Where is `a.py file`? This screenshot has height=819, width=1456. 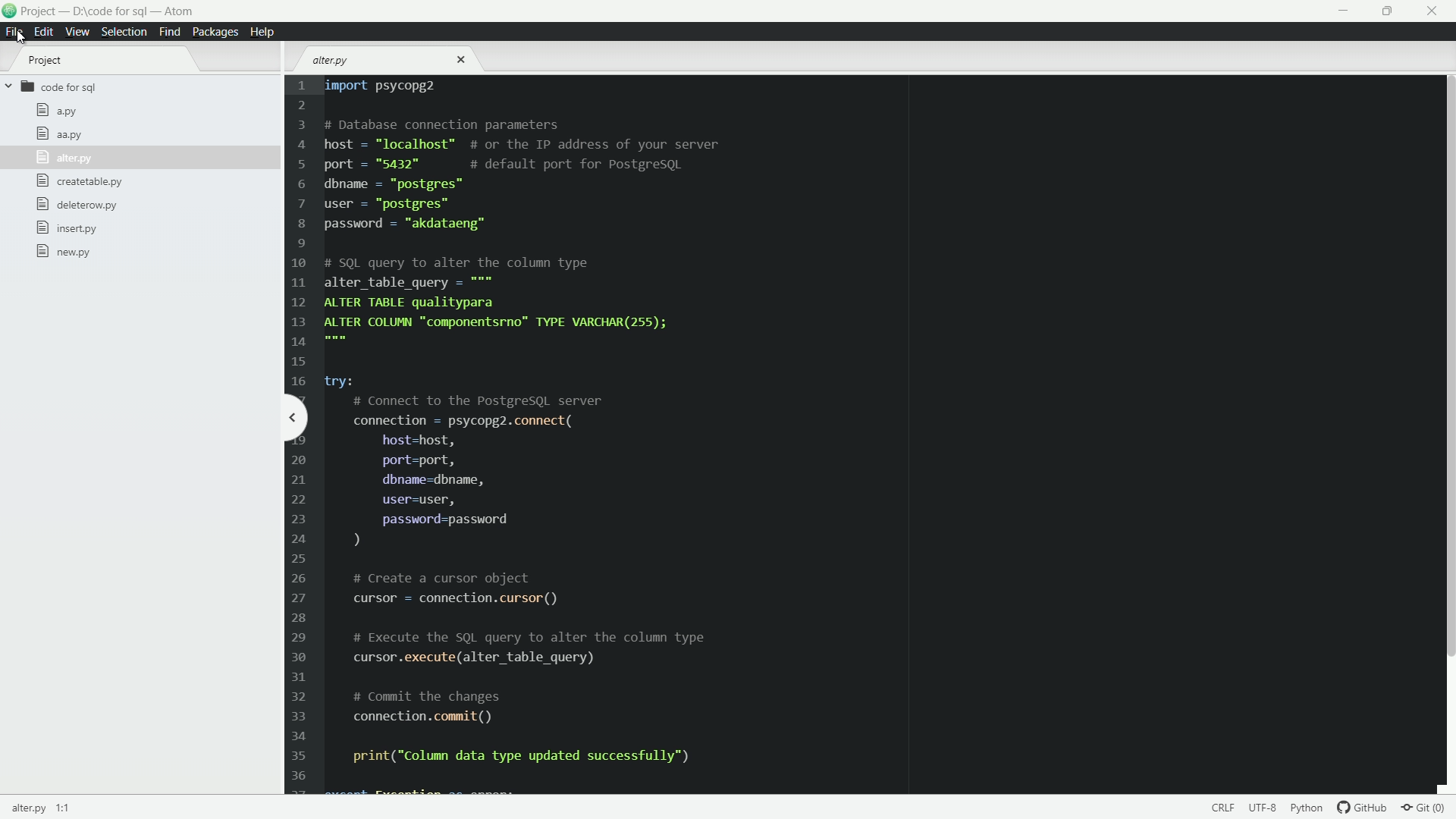
a.py file is located at coordinates (57, 110).